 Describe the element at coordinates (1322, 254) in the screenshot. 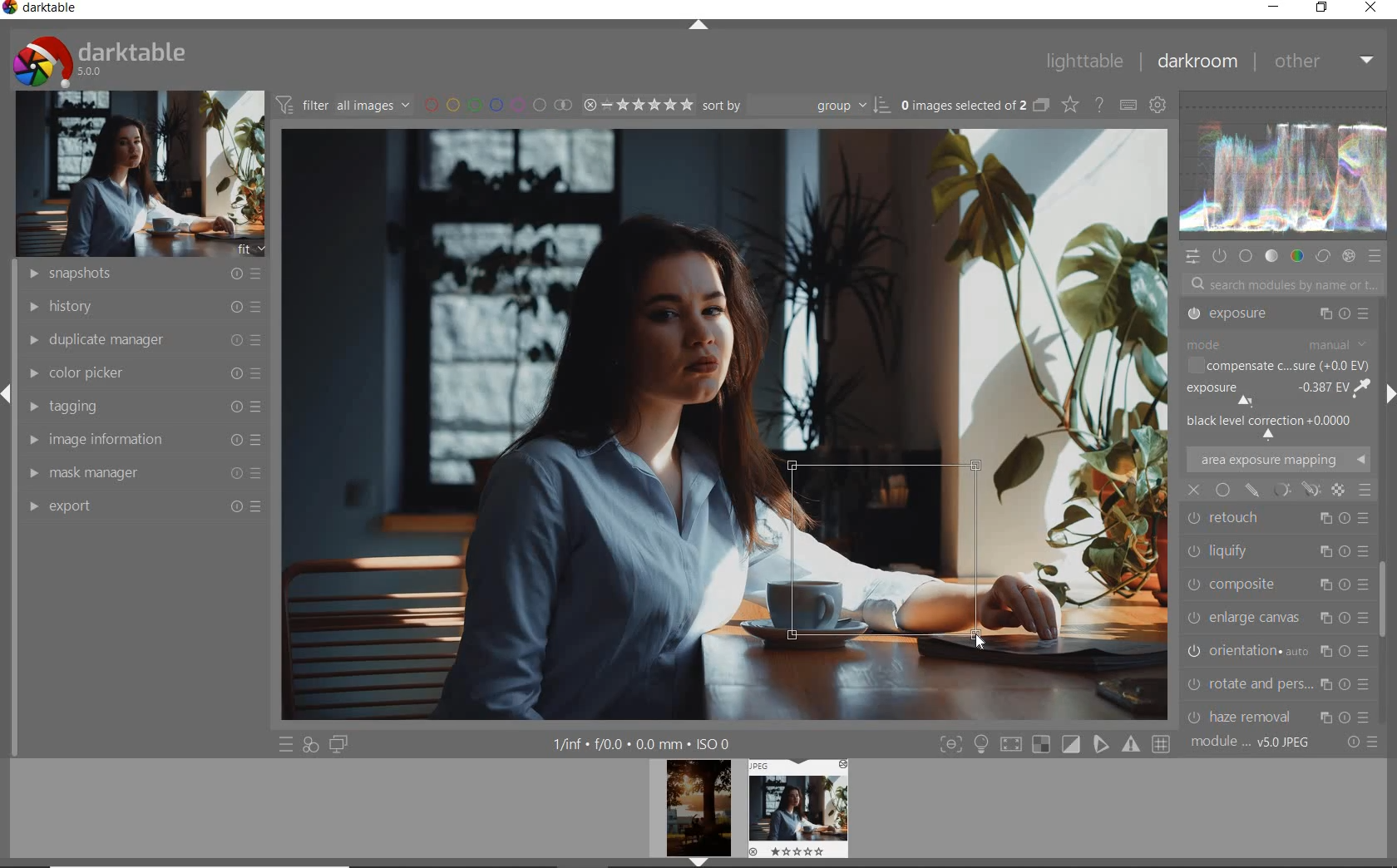

I see `CORRECT` at that location.